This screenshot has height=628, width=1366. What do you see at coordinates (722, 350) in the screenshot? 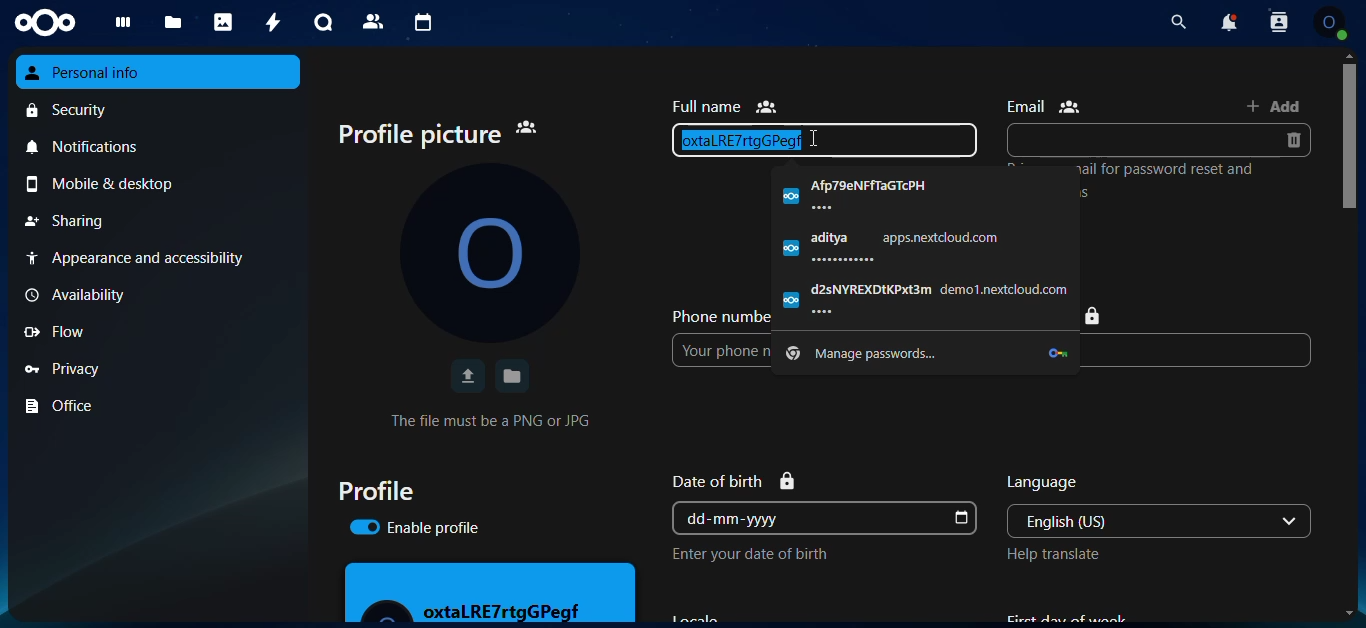
I see `Your phone number` at bounding box center [722, 350].